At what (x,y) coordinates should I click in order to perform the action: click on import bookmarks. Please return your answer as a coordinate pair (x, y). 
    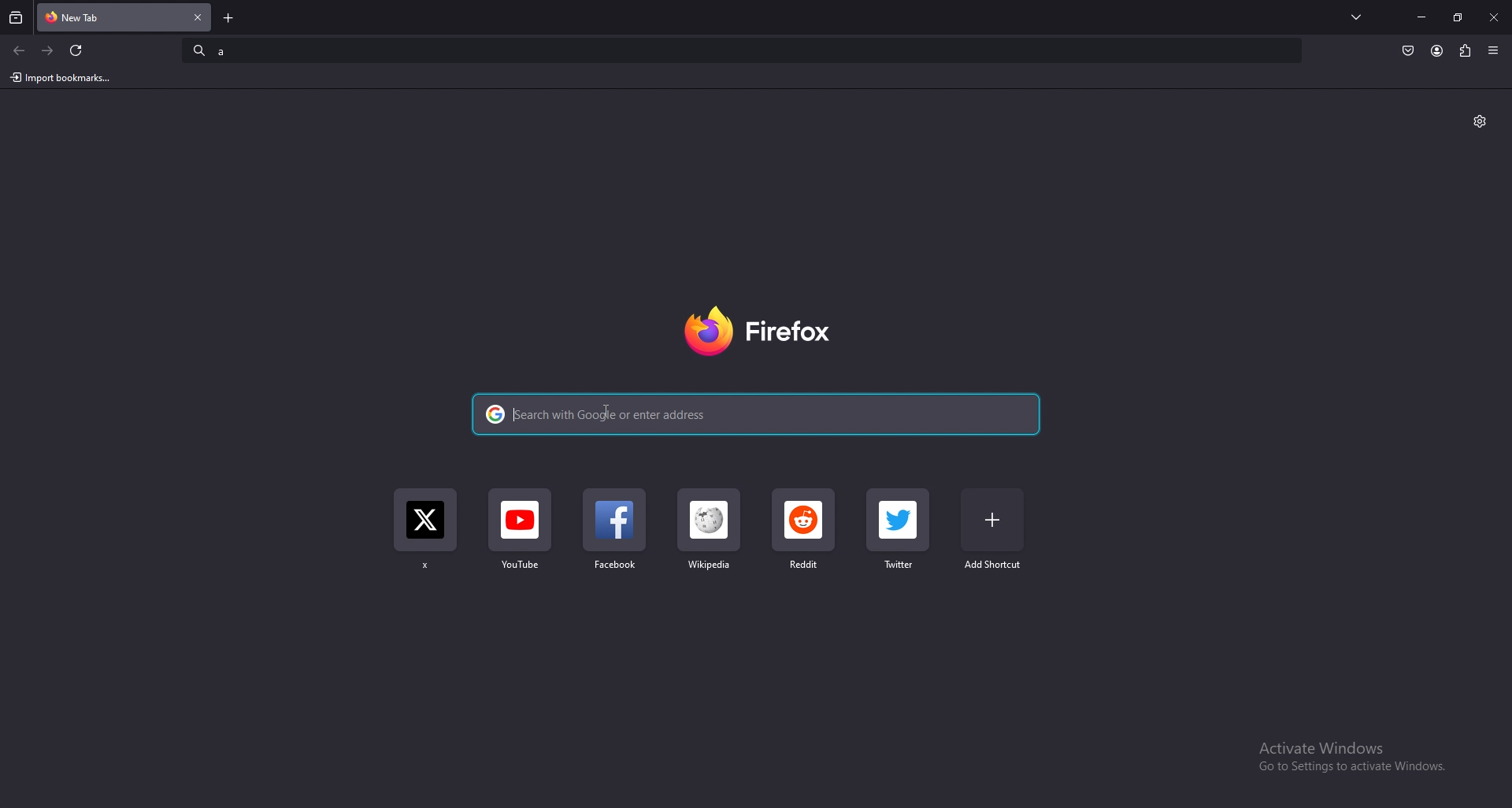
    Looking at the image, I should click on (65, 78).